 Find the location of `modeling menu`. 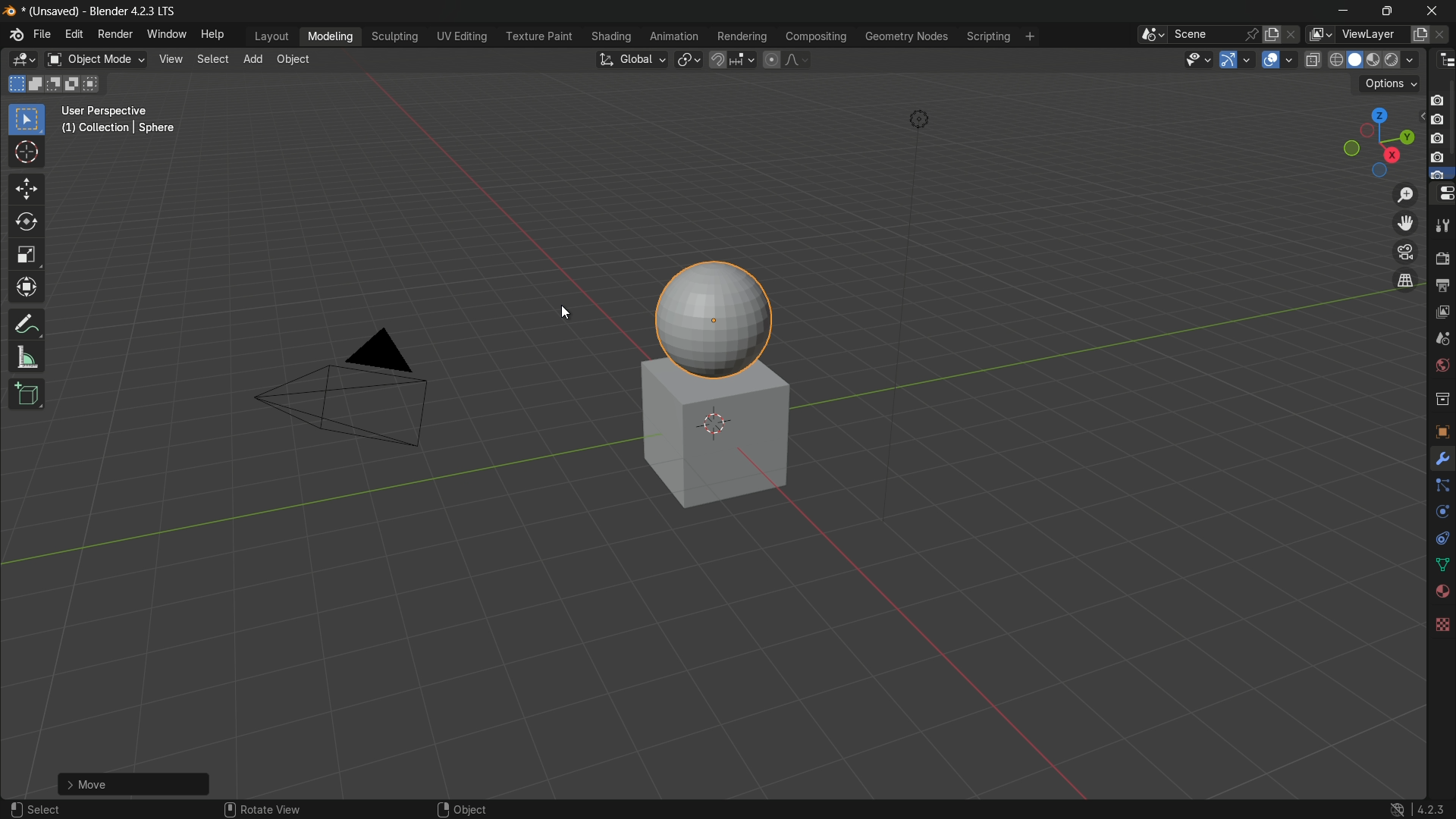

modeling menu is located at coordinates (331, 36).